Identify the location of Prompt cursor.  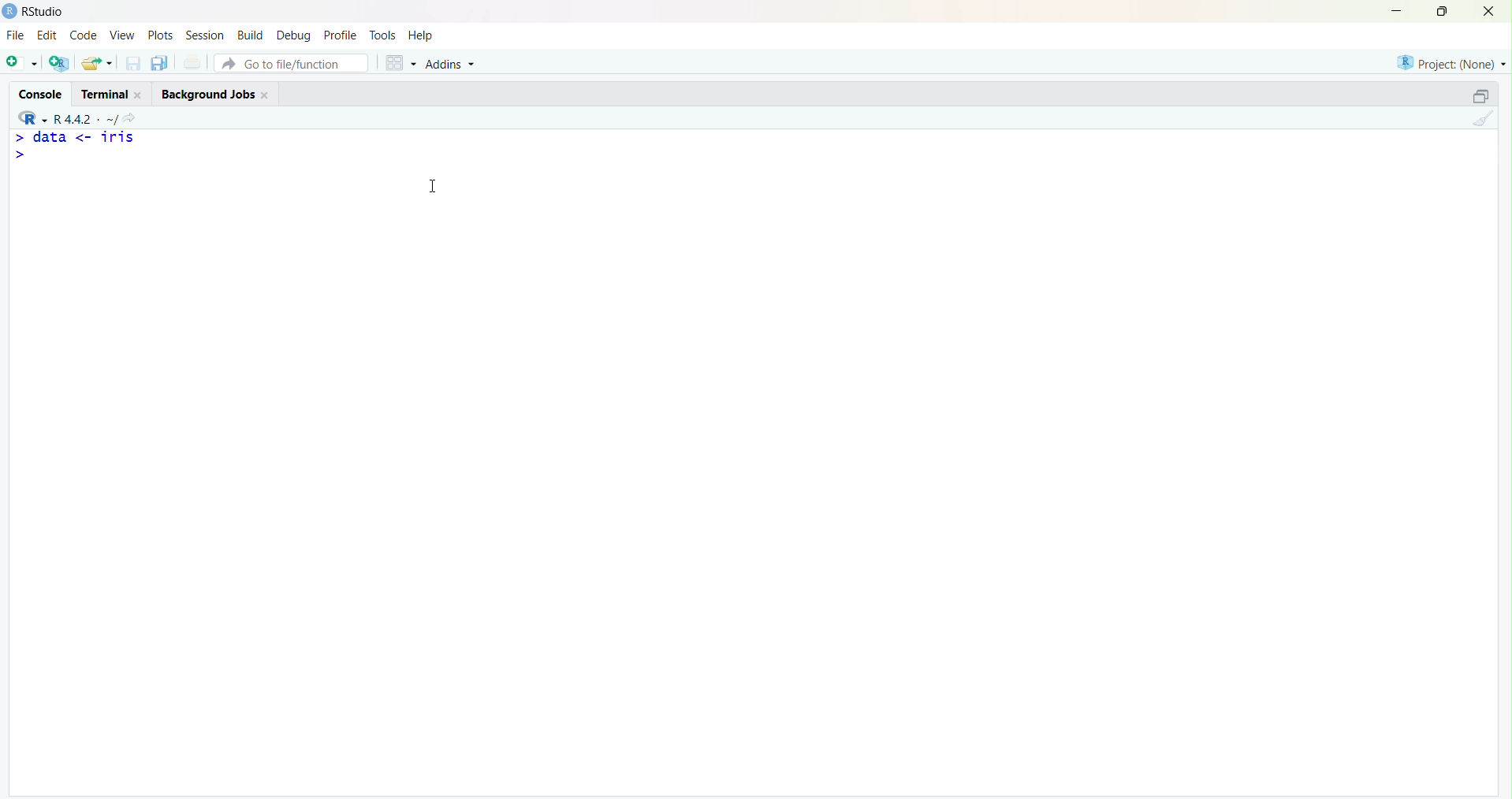
(18, 137).